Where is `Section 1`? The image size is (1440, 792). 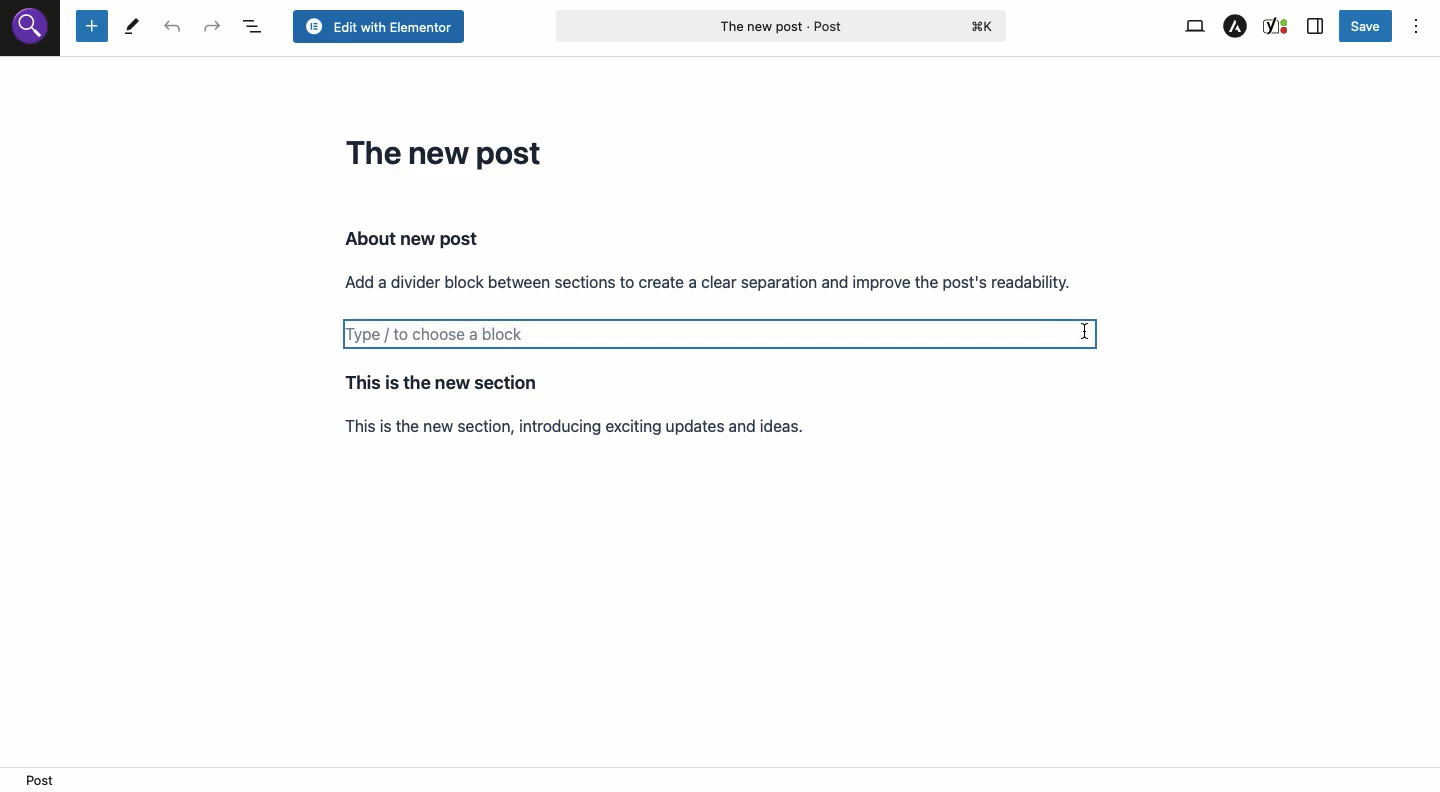 Section 1 is located at coordinates (709, 259).